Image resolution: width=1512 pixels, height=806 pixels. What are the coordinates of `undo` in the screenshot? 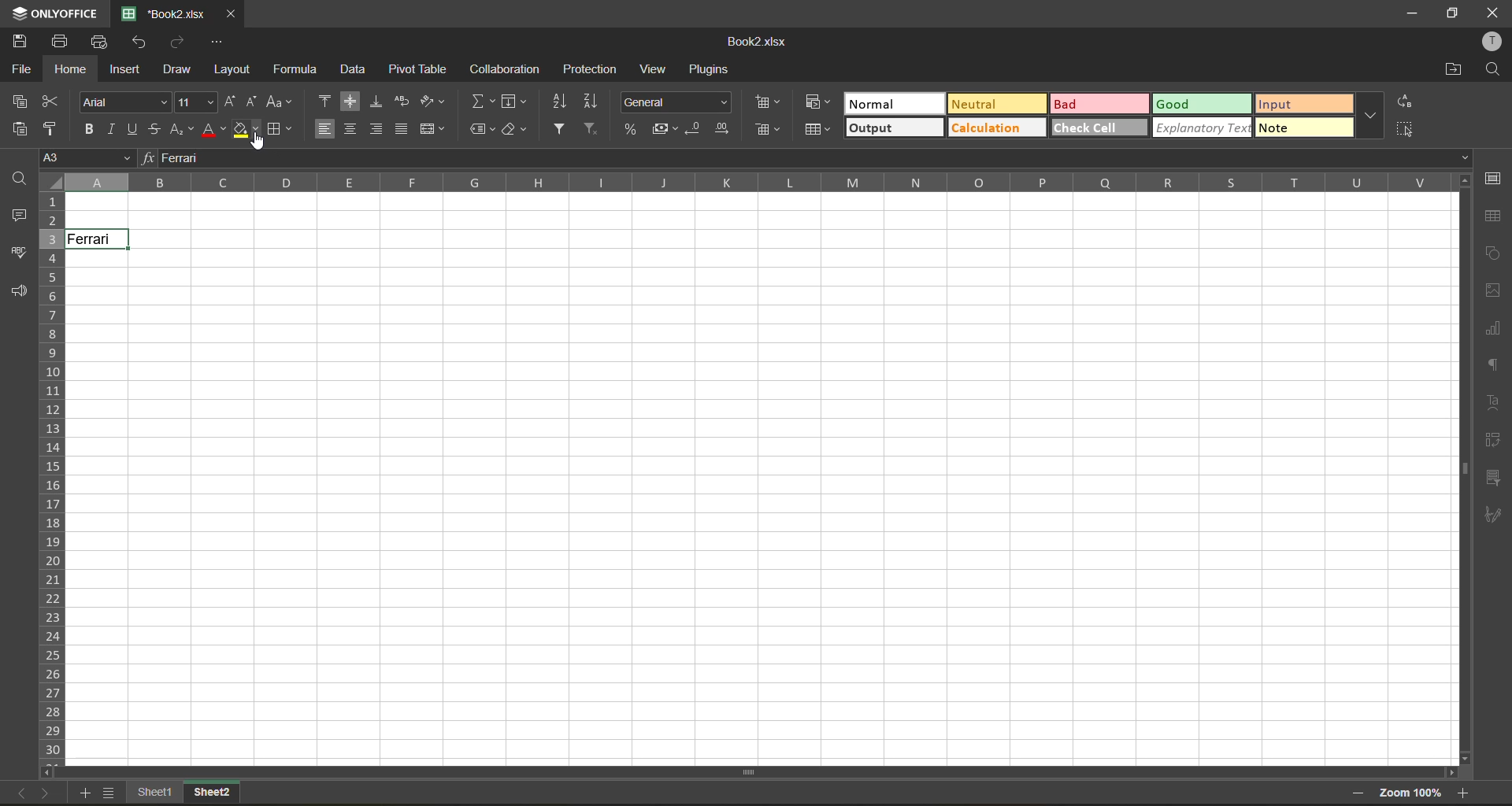 It's located at (143, 44).